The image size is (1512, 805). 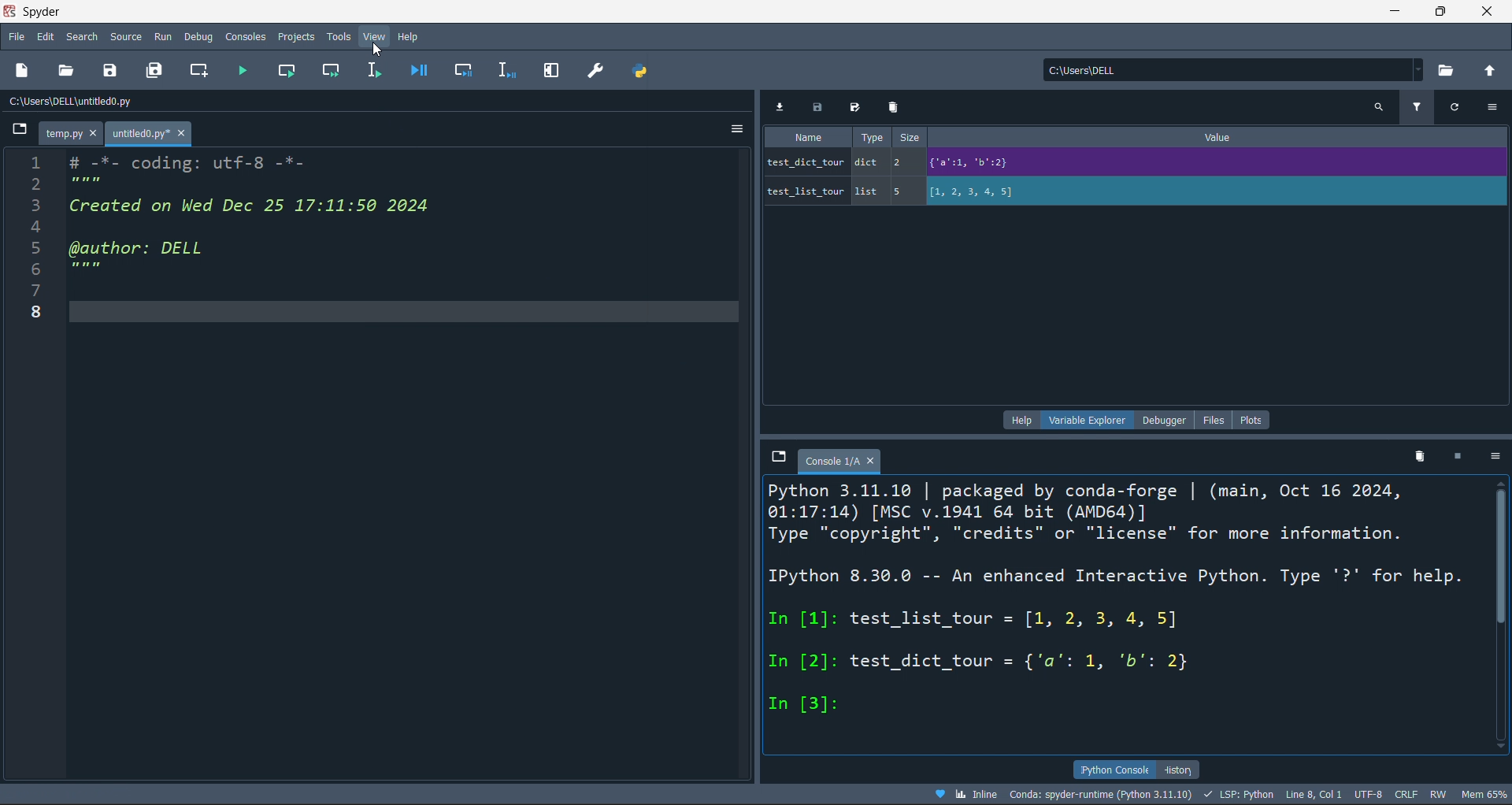 What do you see at coordinates (413, 35) in the screenshot?
I see `help` at bounding box center [413, 35].